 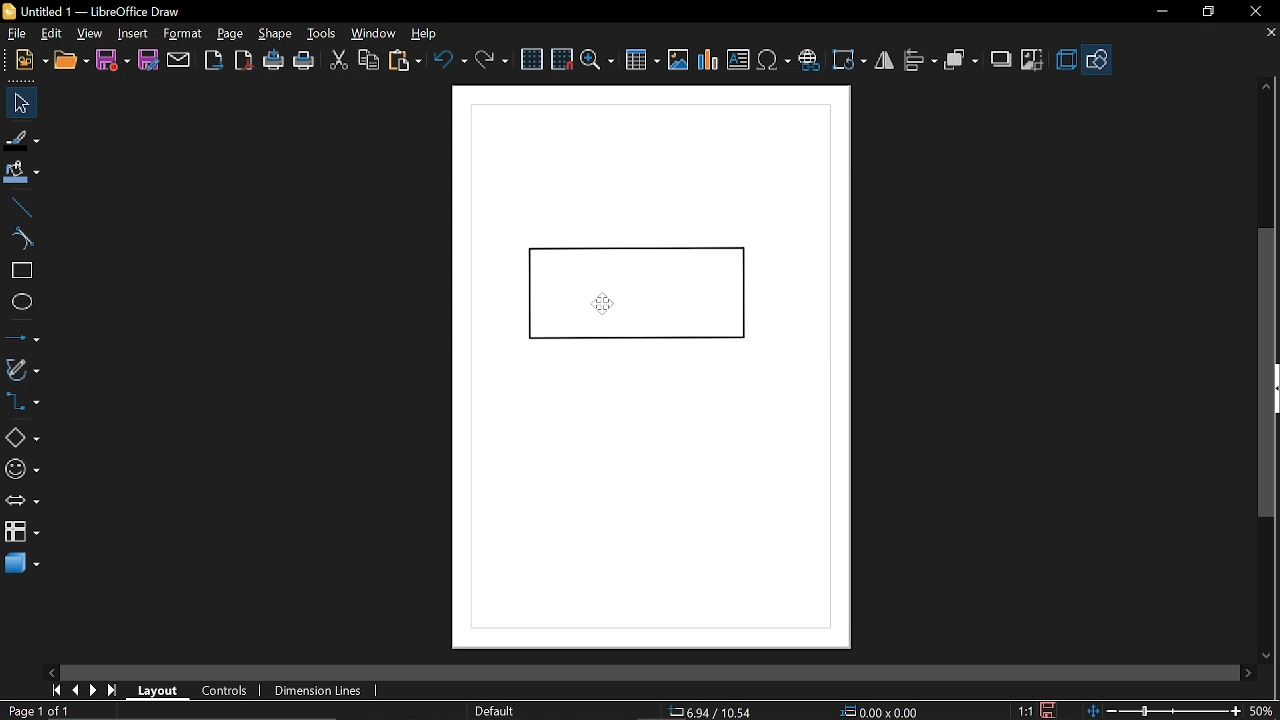 I want to click on arrange, so click(x=962, y=60).